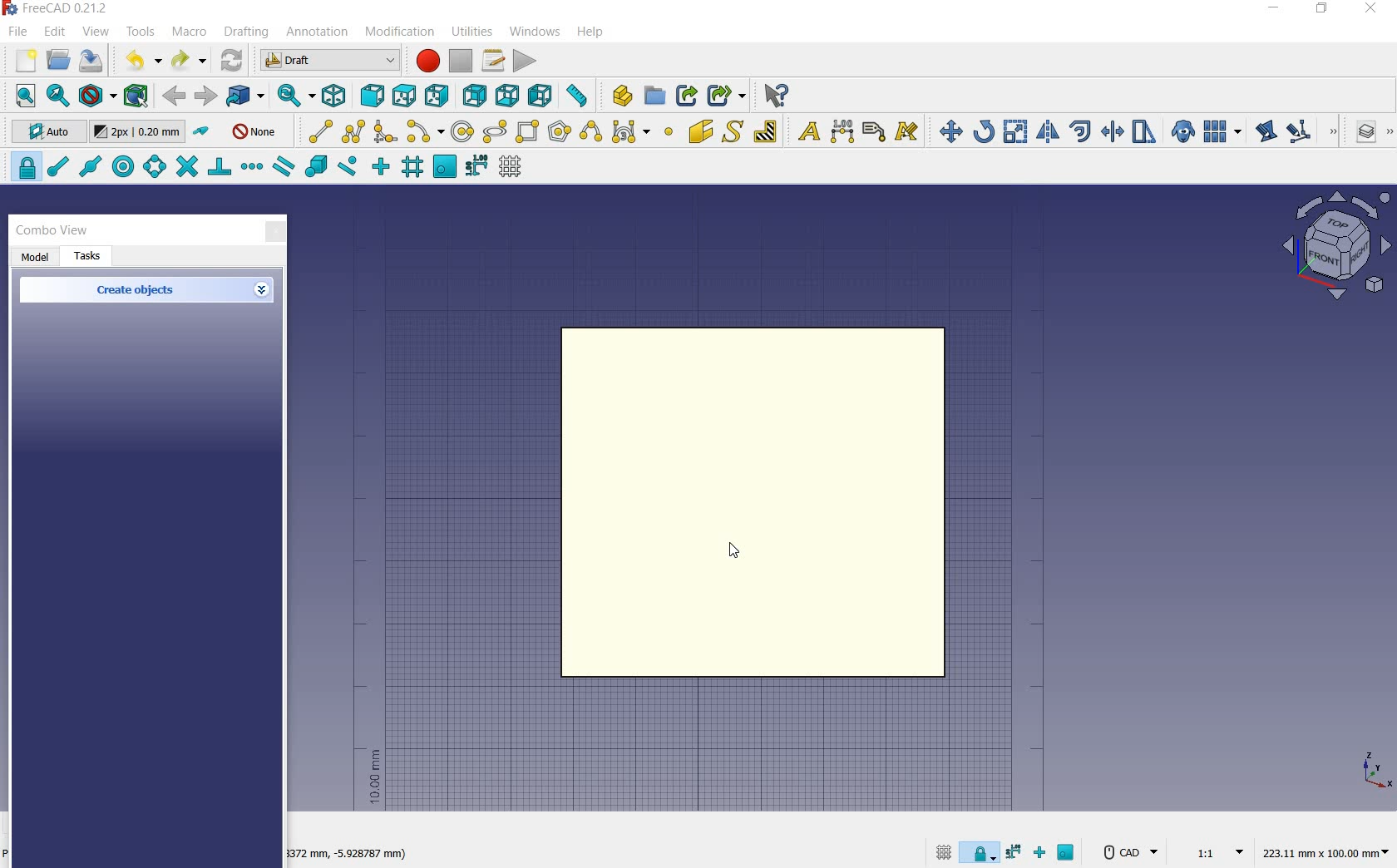 The width and height of the screenshot is (1397, 868). Describe the element at coordinates (509, 96) in the screenshot. I see `bottom` at that location.